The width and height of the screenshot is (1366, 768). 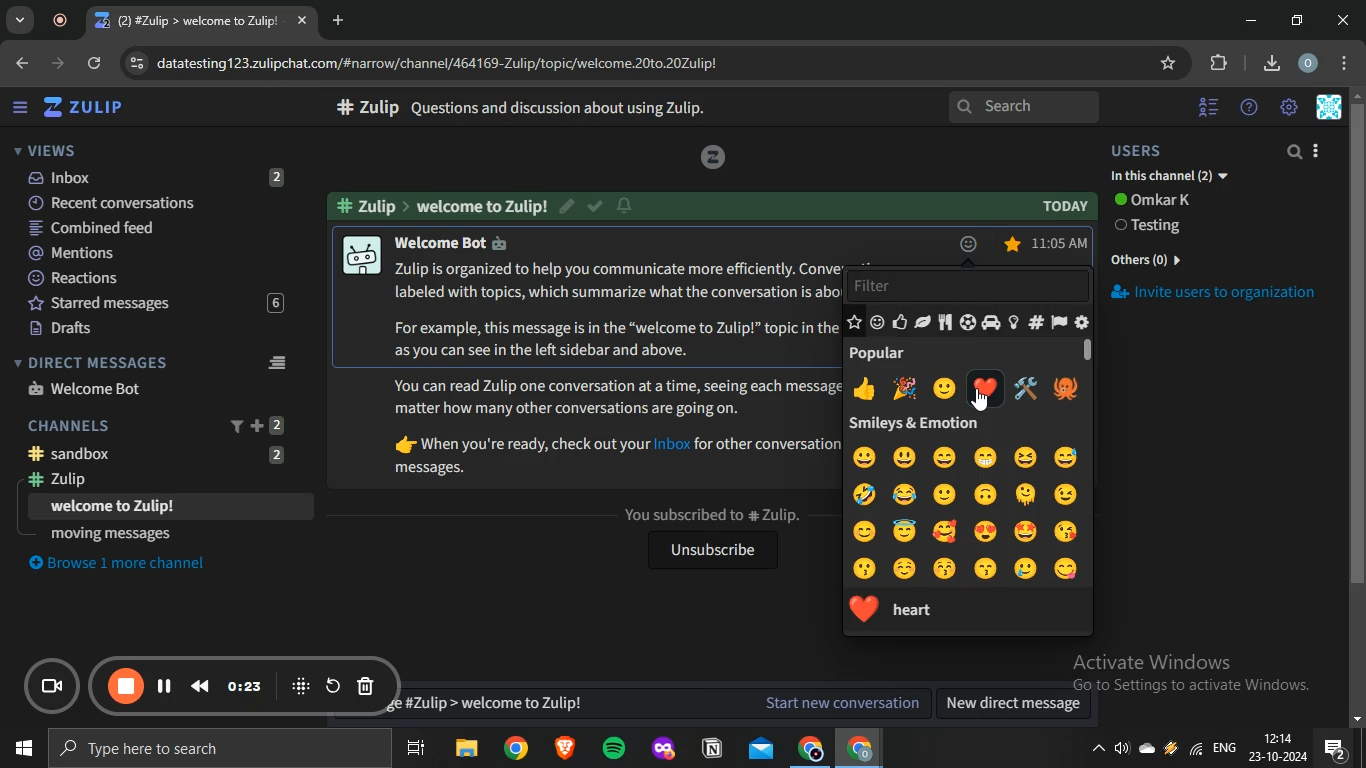 What do you see at coordinates (1277, 749) in the screenshot?
I see `date and time` at bounding box center [1277, 749].